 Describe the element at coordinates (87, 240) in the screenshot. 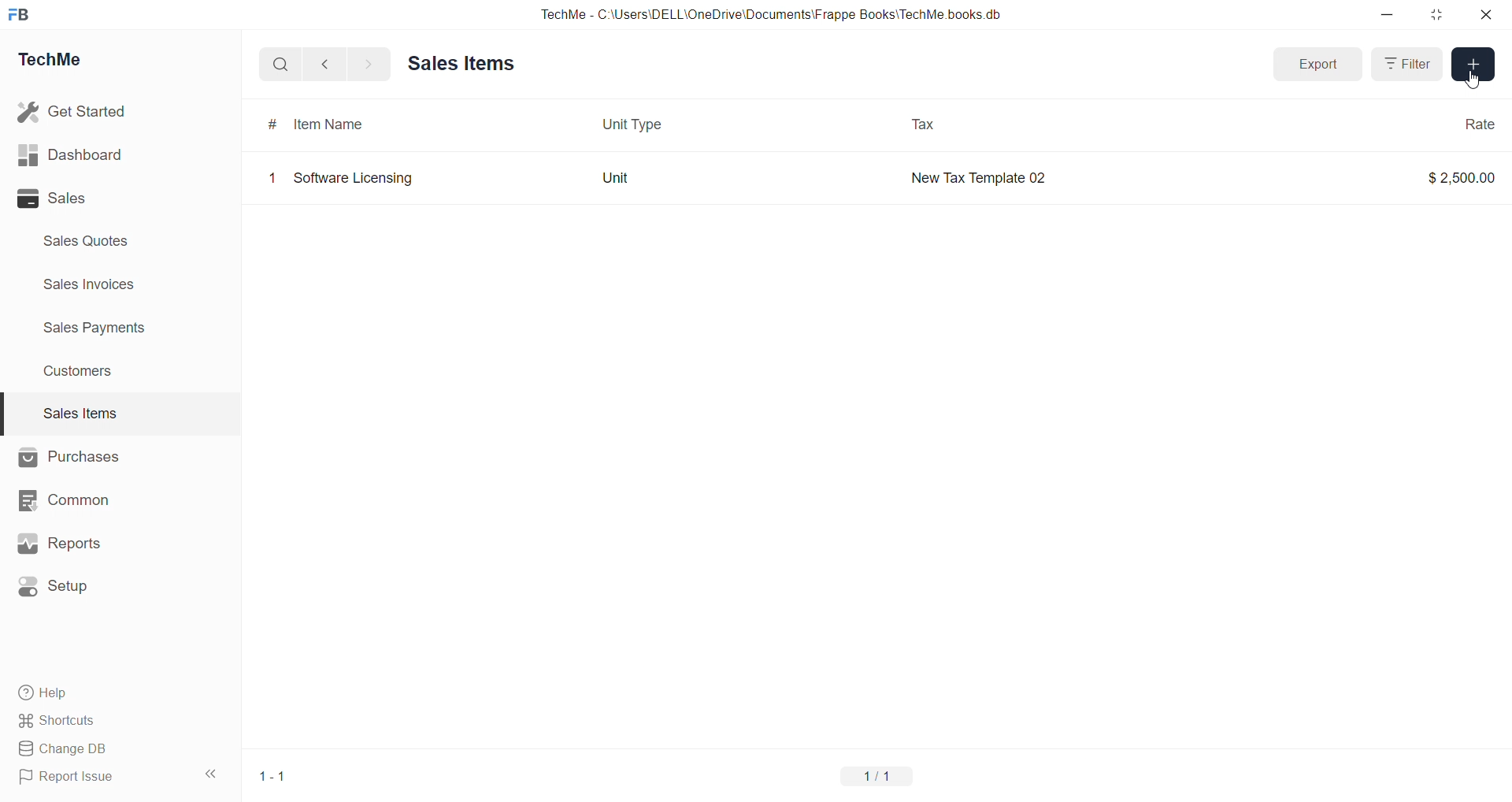

I see `Sales Quotes` at that location.